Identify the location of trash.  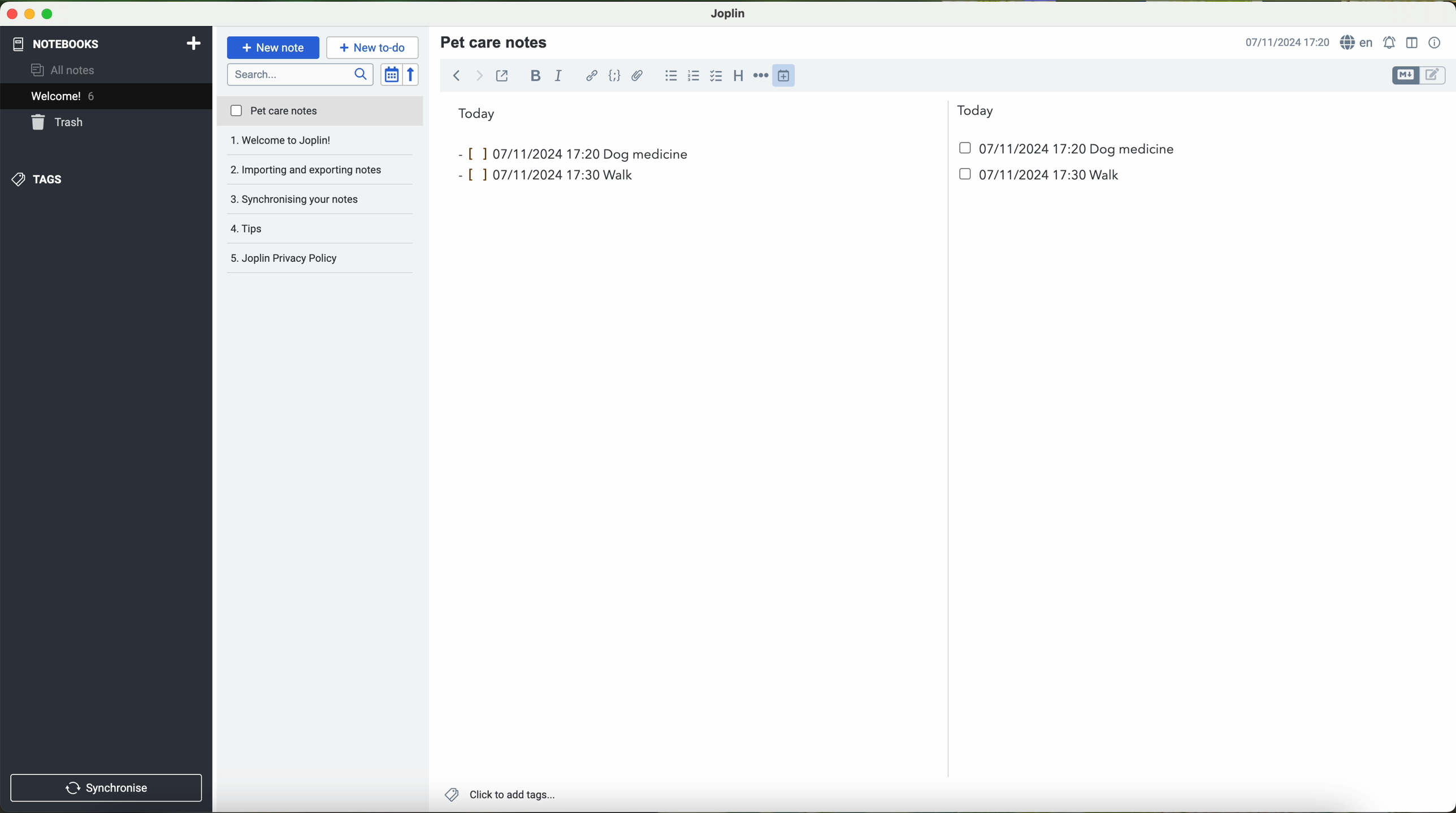
(58, 124).